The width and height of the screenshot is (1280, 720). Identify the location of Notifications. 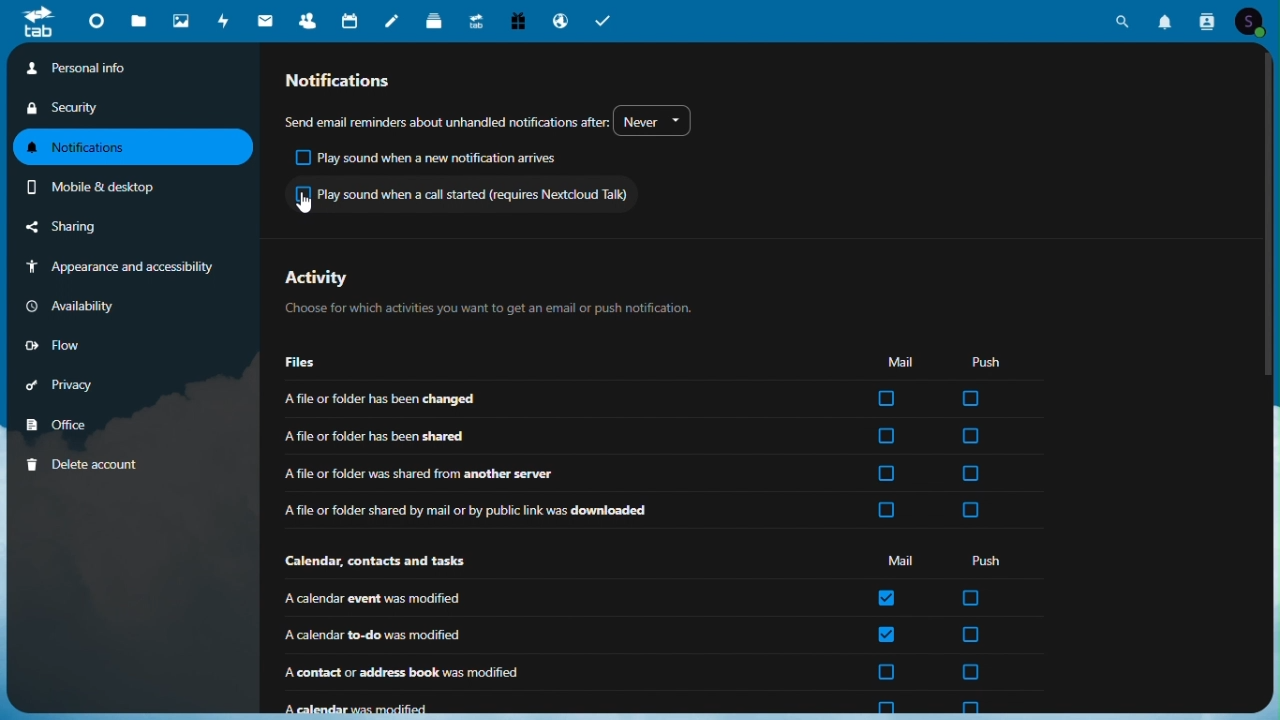
(134, 148).